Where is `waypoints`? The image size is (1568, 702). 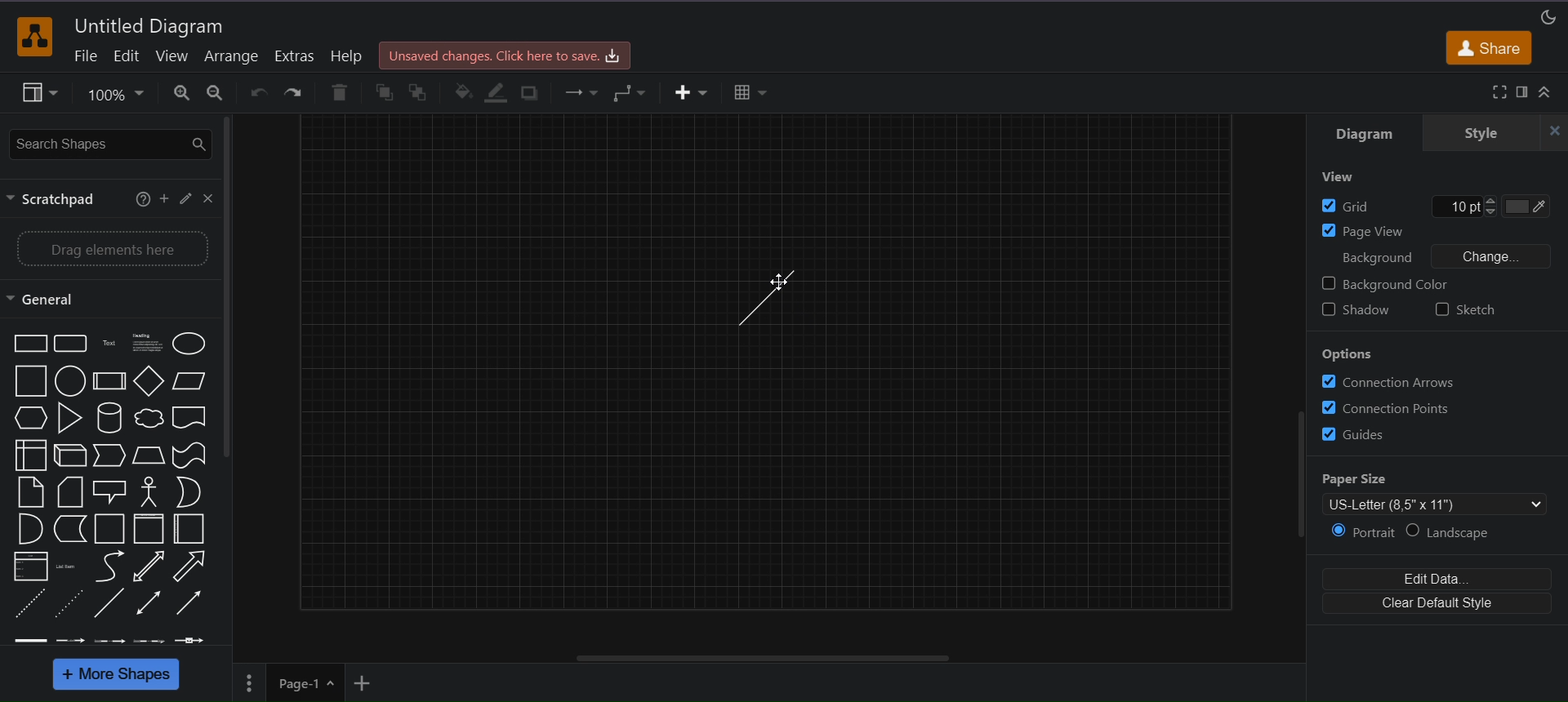 waypoints is located at coordinates (633, 91).